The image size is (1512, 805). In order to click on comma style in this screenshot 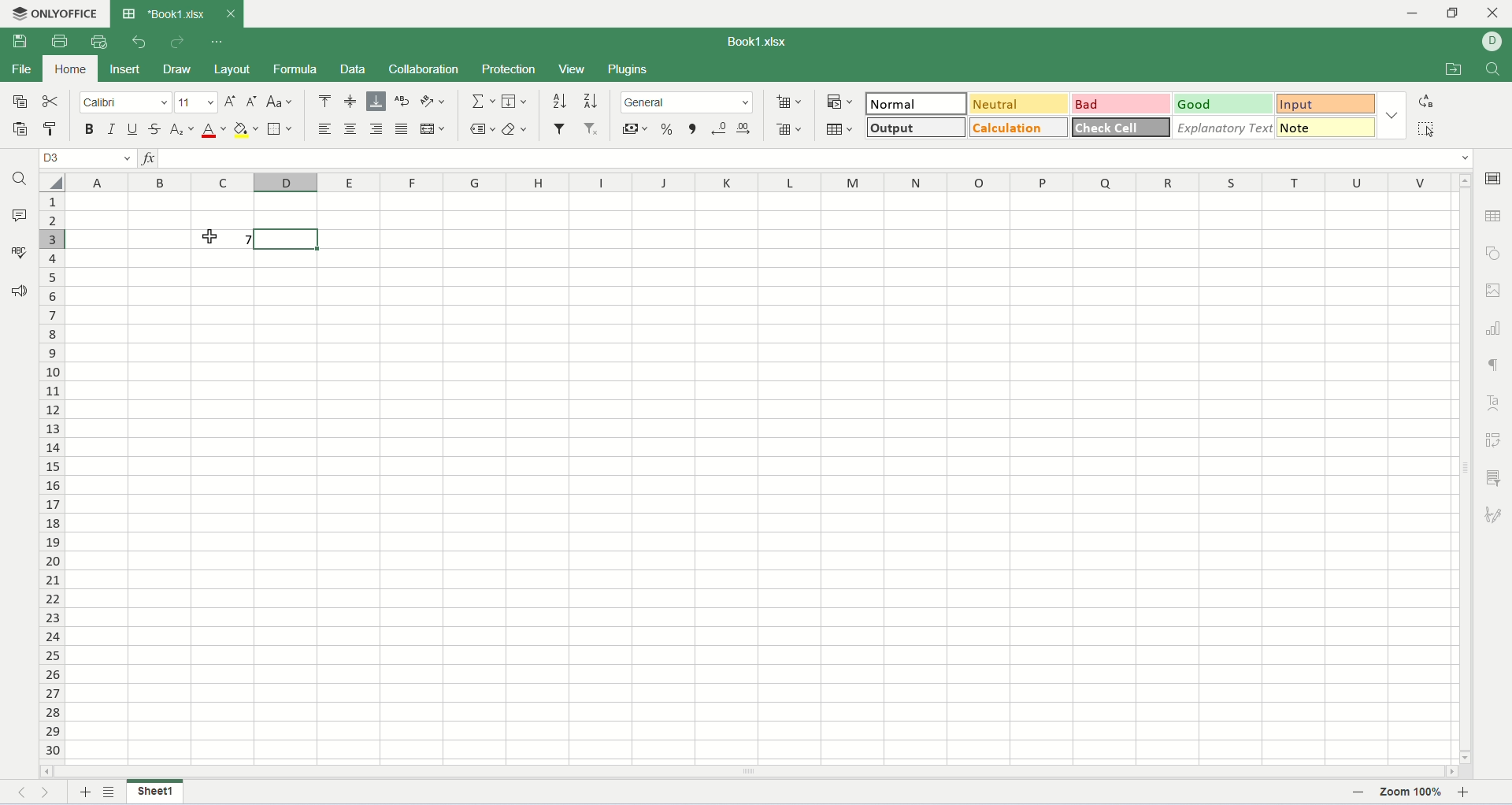, I will do `click(695, 128)`.